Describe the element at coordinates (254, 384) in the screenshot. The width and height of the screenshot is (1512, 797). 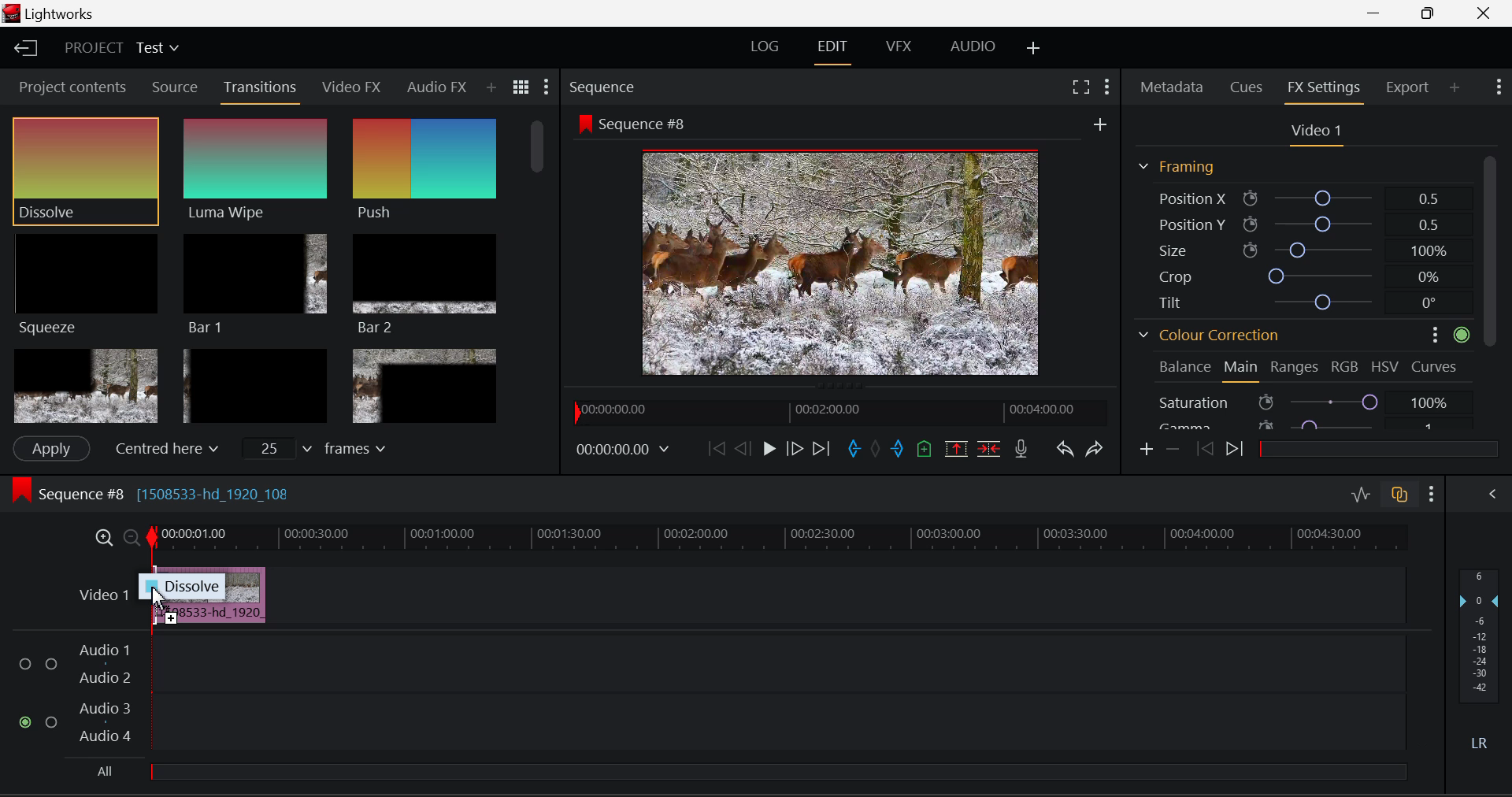
I see `Box 2` at that location.